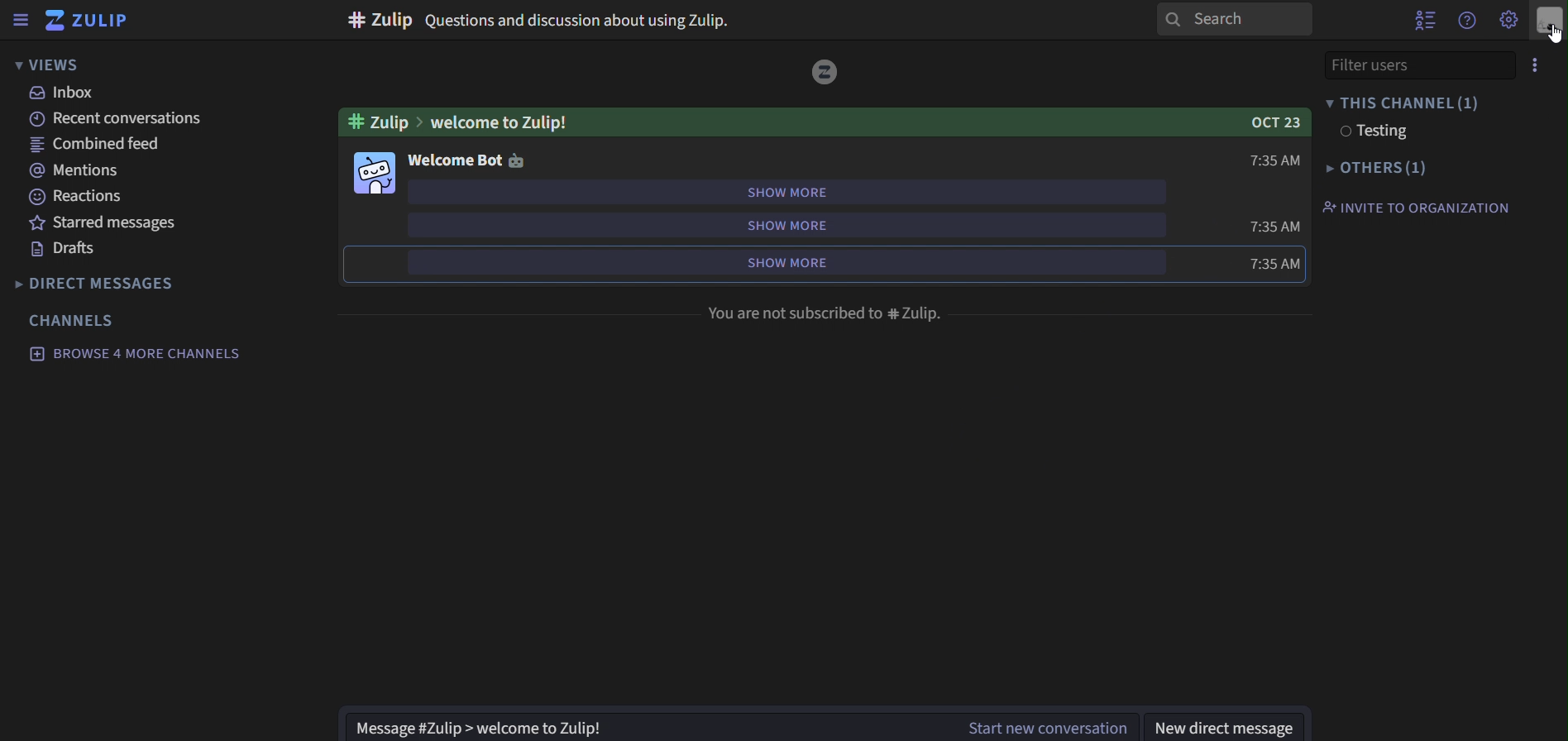 Image resolution: width=1568 pixels, height=741 pixels. I want to click on #Zulip Questions and discussion about using Zulip, so click(540, 20).